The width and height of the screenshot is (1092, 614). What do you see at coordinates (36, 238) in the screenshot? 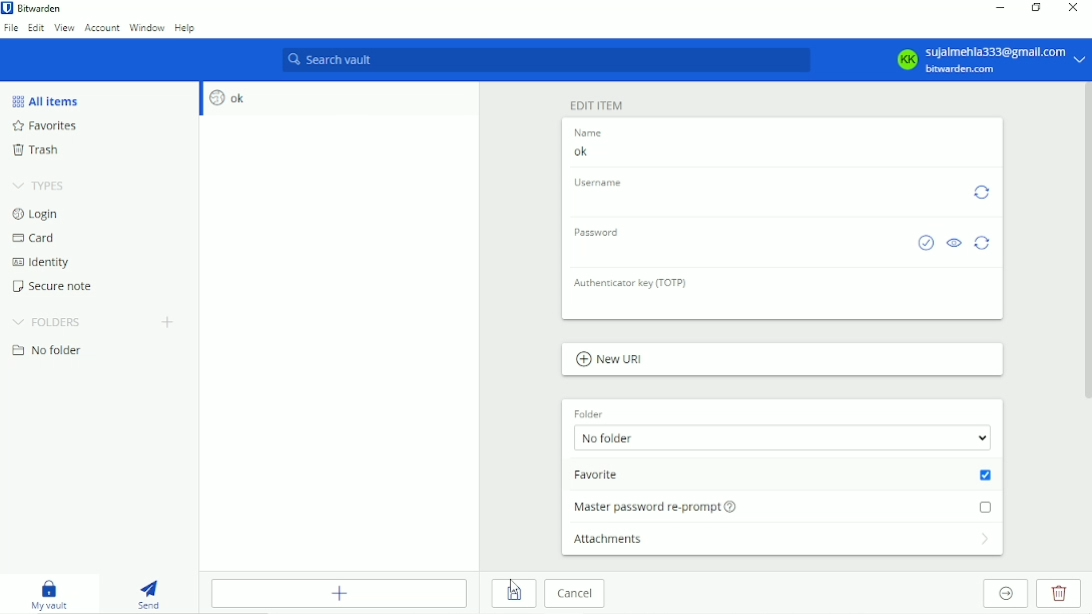
I see `Card ` at bounding box center [36, 238].